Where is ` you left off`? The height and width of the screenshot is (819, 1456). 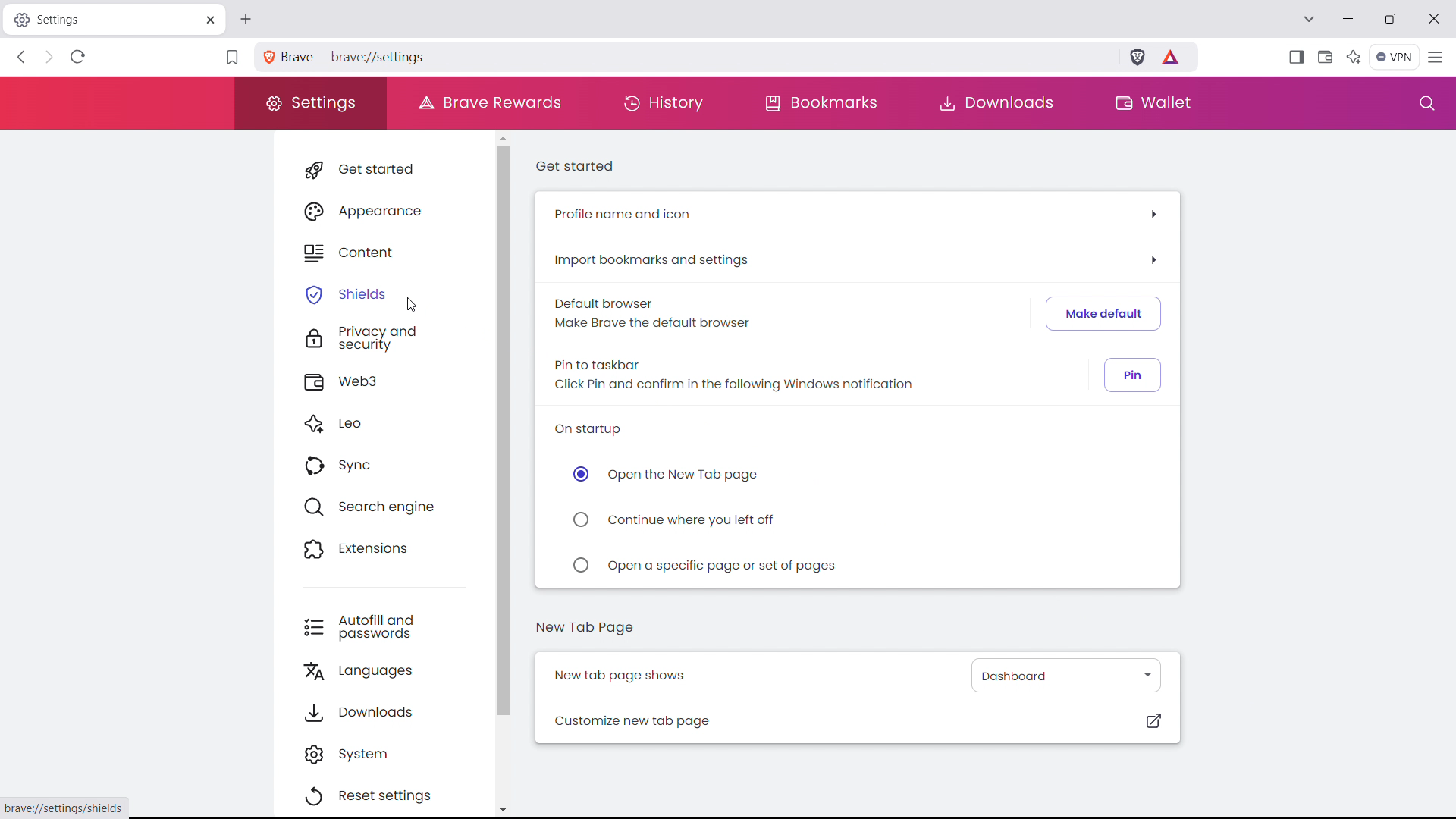
 you left off is located at coordinates (692, 521).